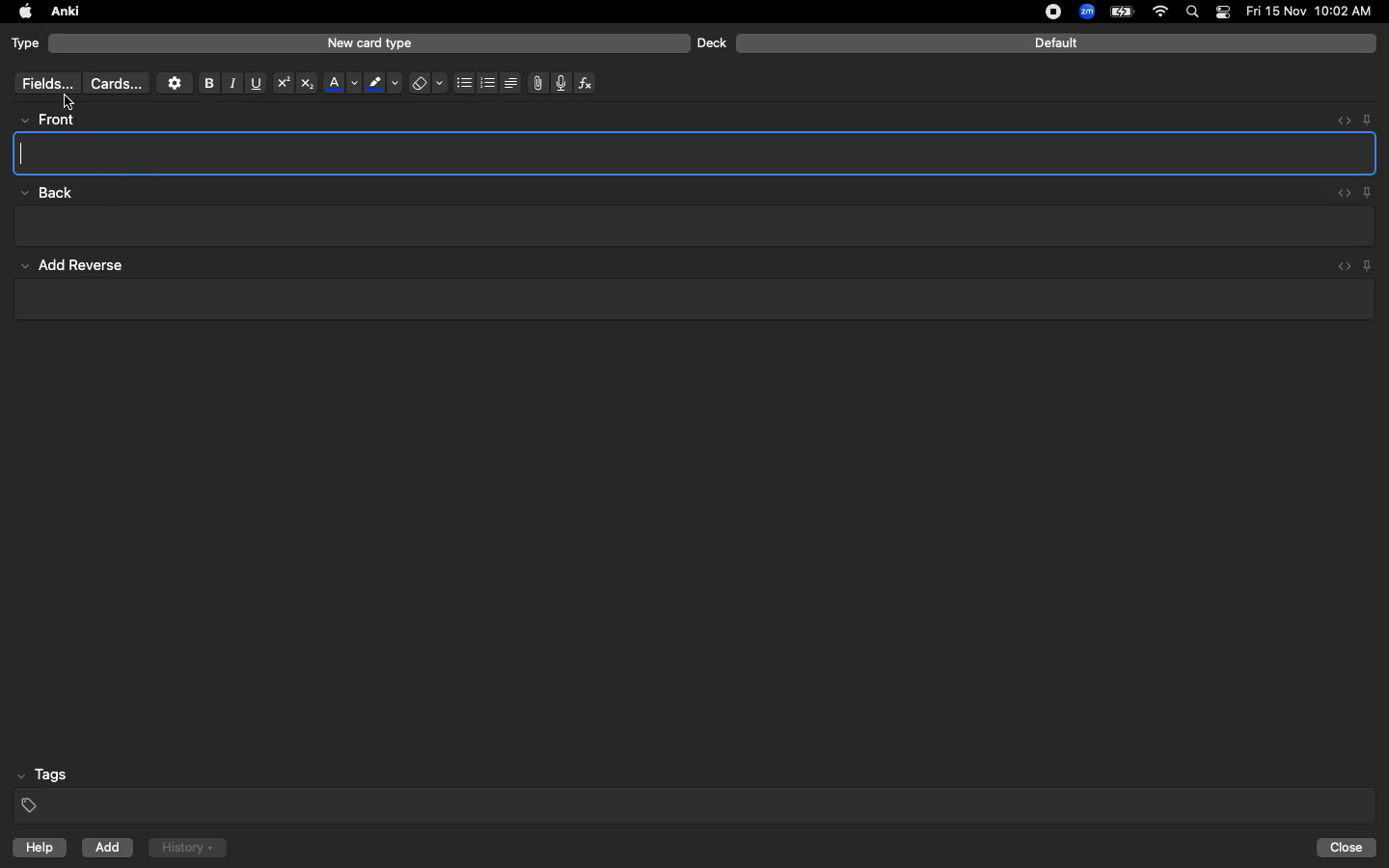  Describe the element at coordinates (696, 791) in the screenshot. I see `Tags` at that location.